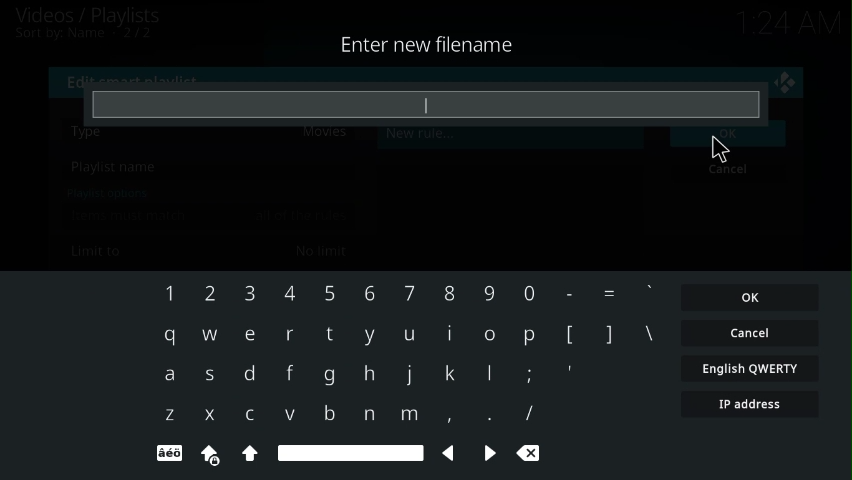  Describe the element at coordinates (752, 297) in the screenshot. I see `ok` at that location.